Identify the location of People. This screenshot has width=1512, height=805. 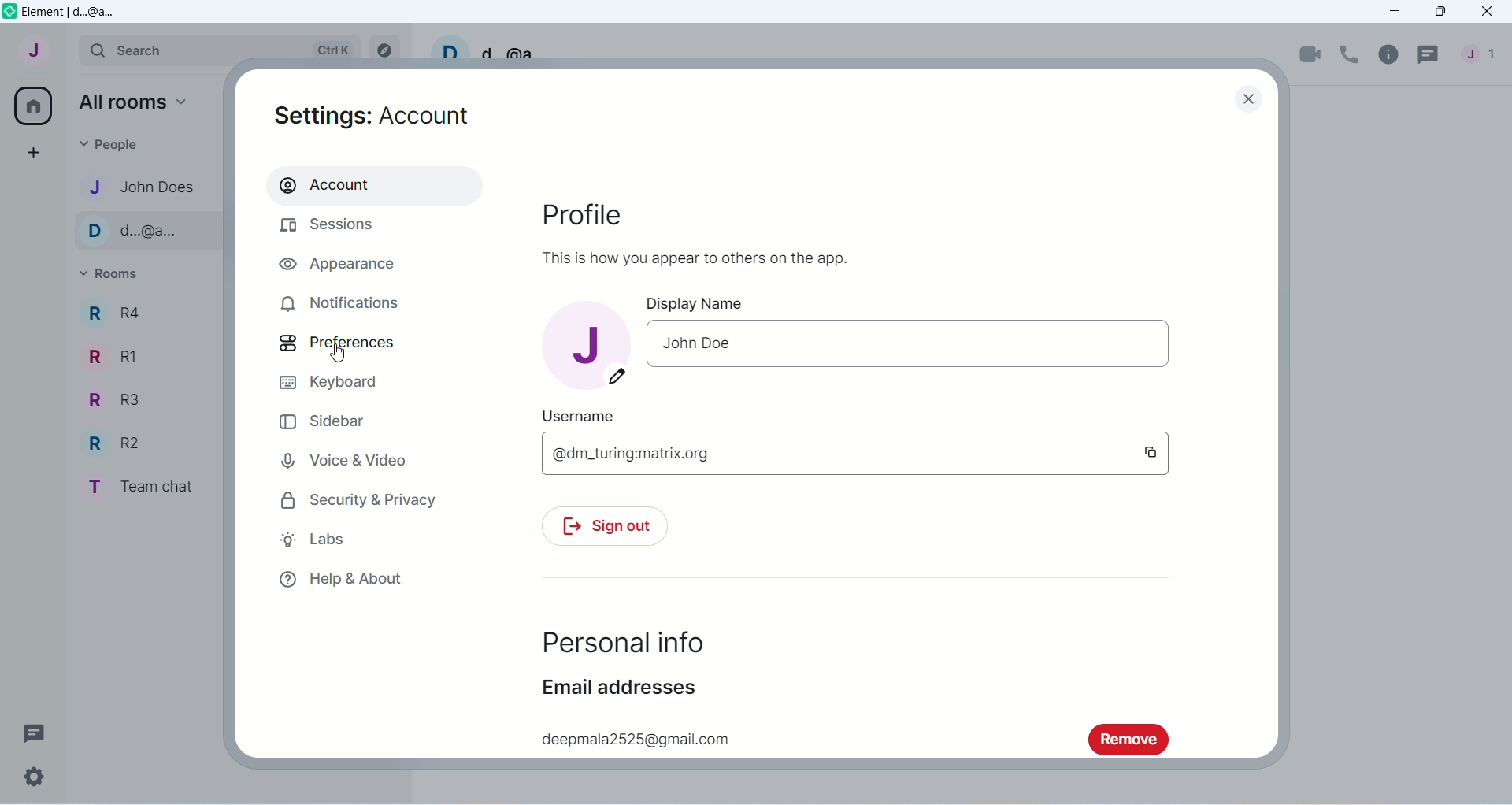
(117, 143).